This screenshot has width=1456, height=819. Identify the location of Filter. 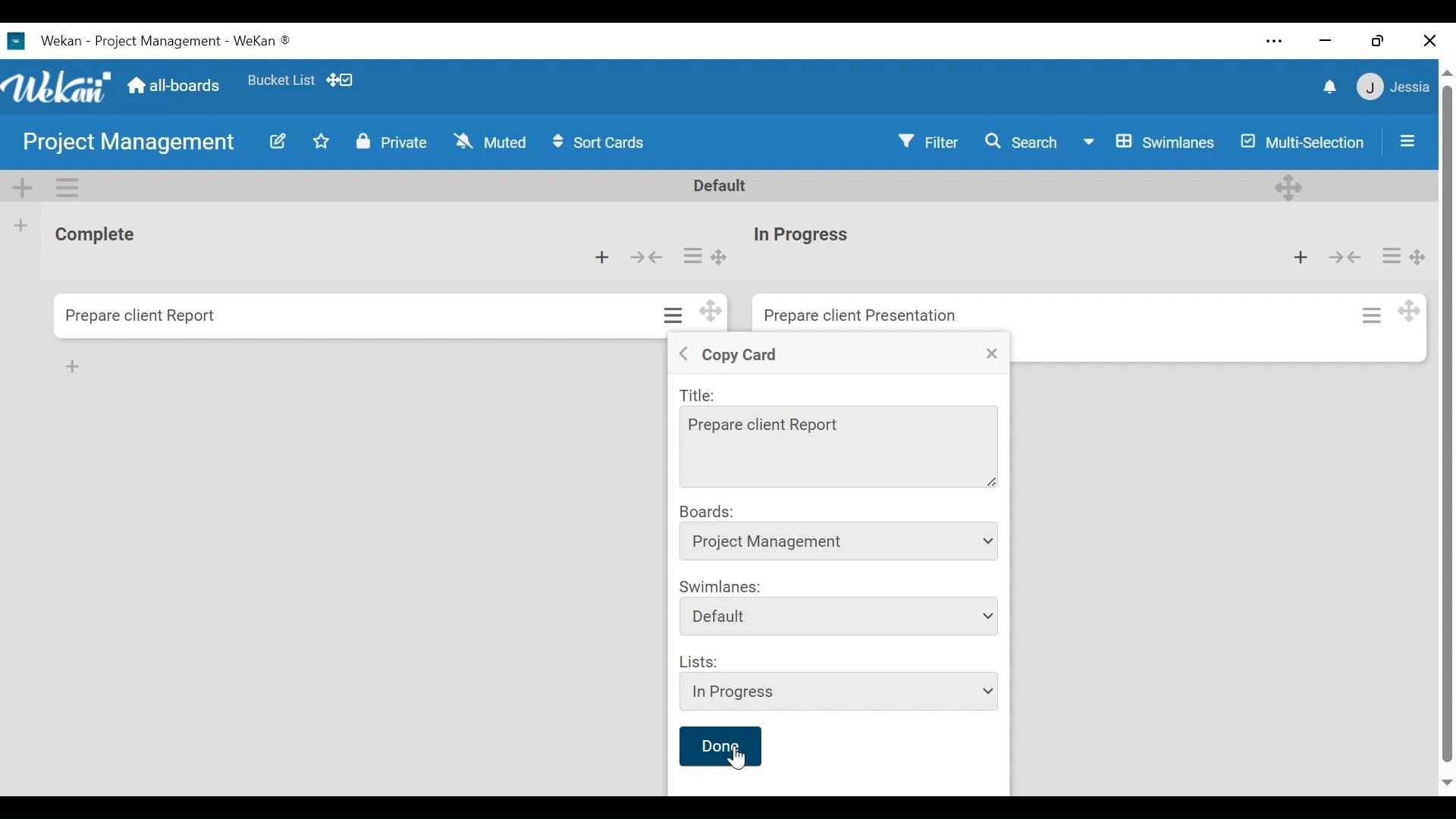
(934, 140).